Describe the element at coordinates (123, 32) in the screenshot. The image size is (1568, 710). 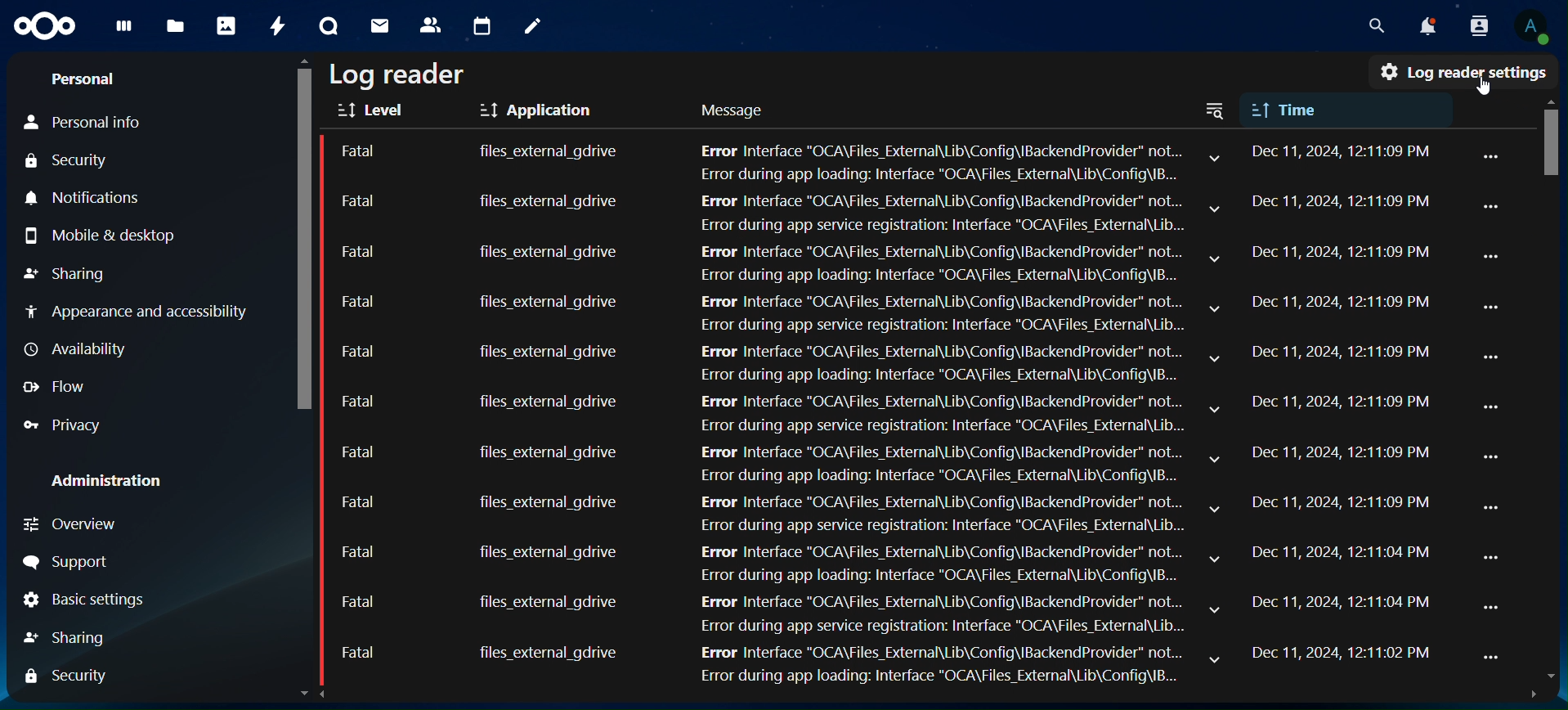
I see `dashboard` at that location.